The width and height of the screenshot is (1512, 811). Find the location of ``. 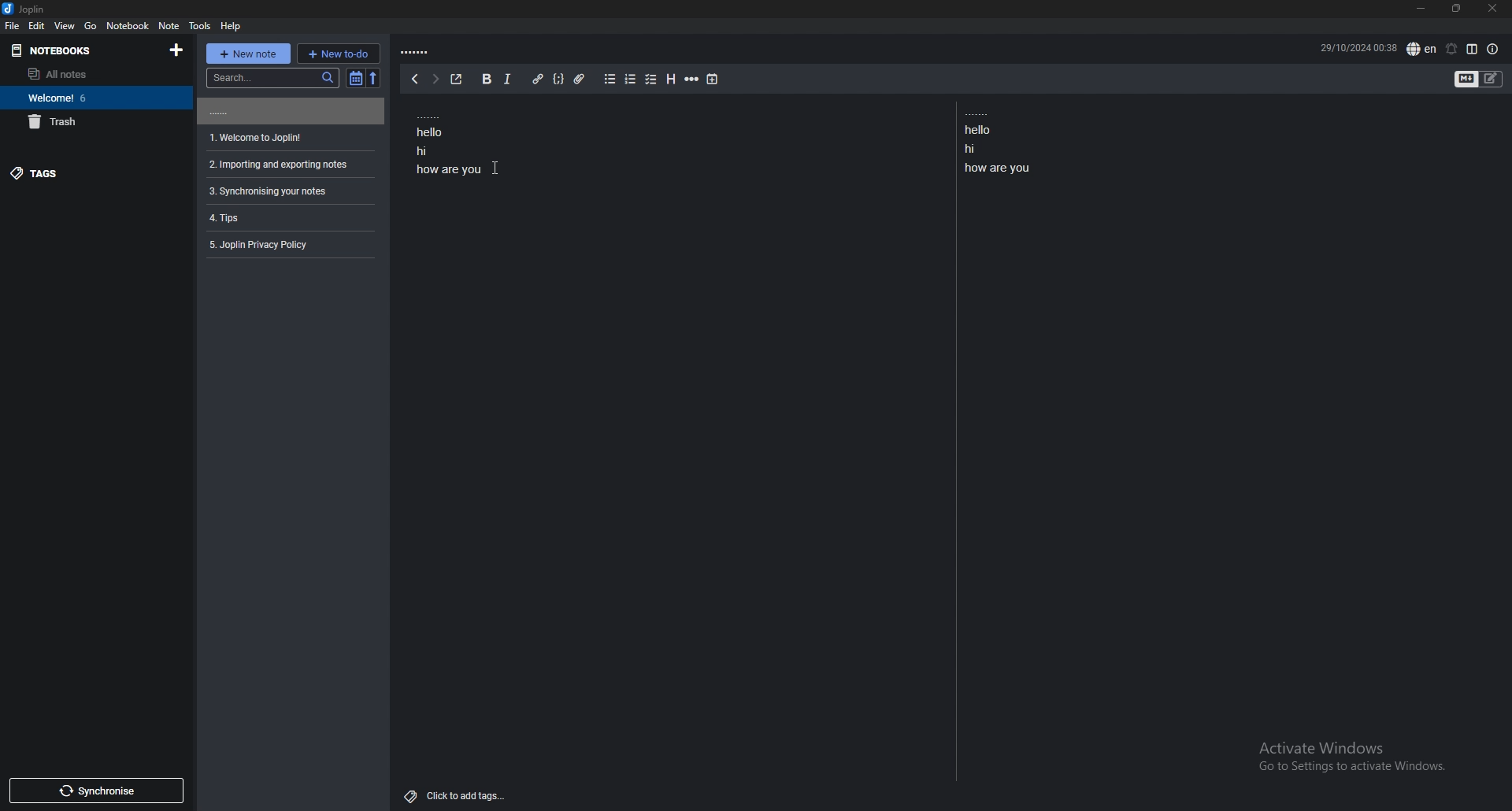

 is located at coordinates (1345, 760).